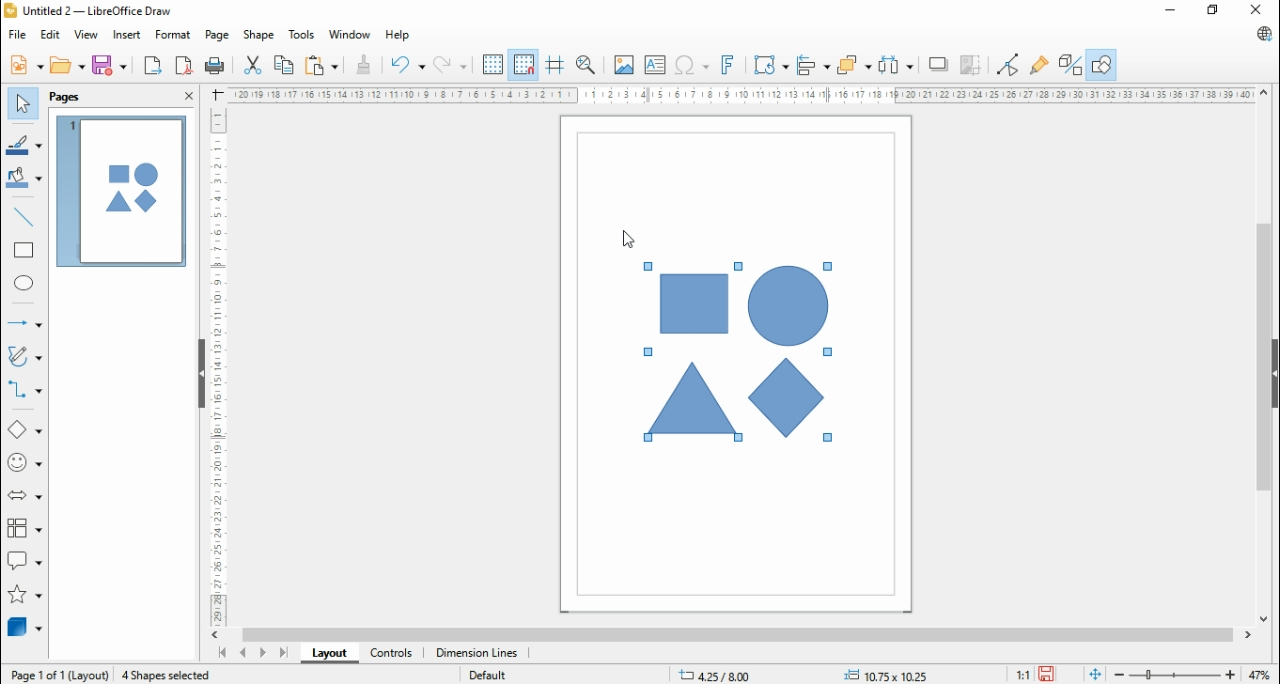 This screenshot has width=1280, height=684. What do you see at coordinates (1037, 65) in the screenshot?
I see `show gluepoint function` at bounding box center [1037, 65].